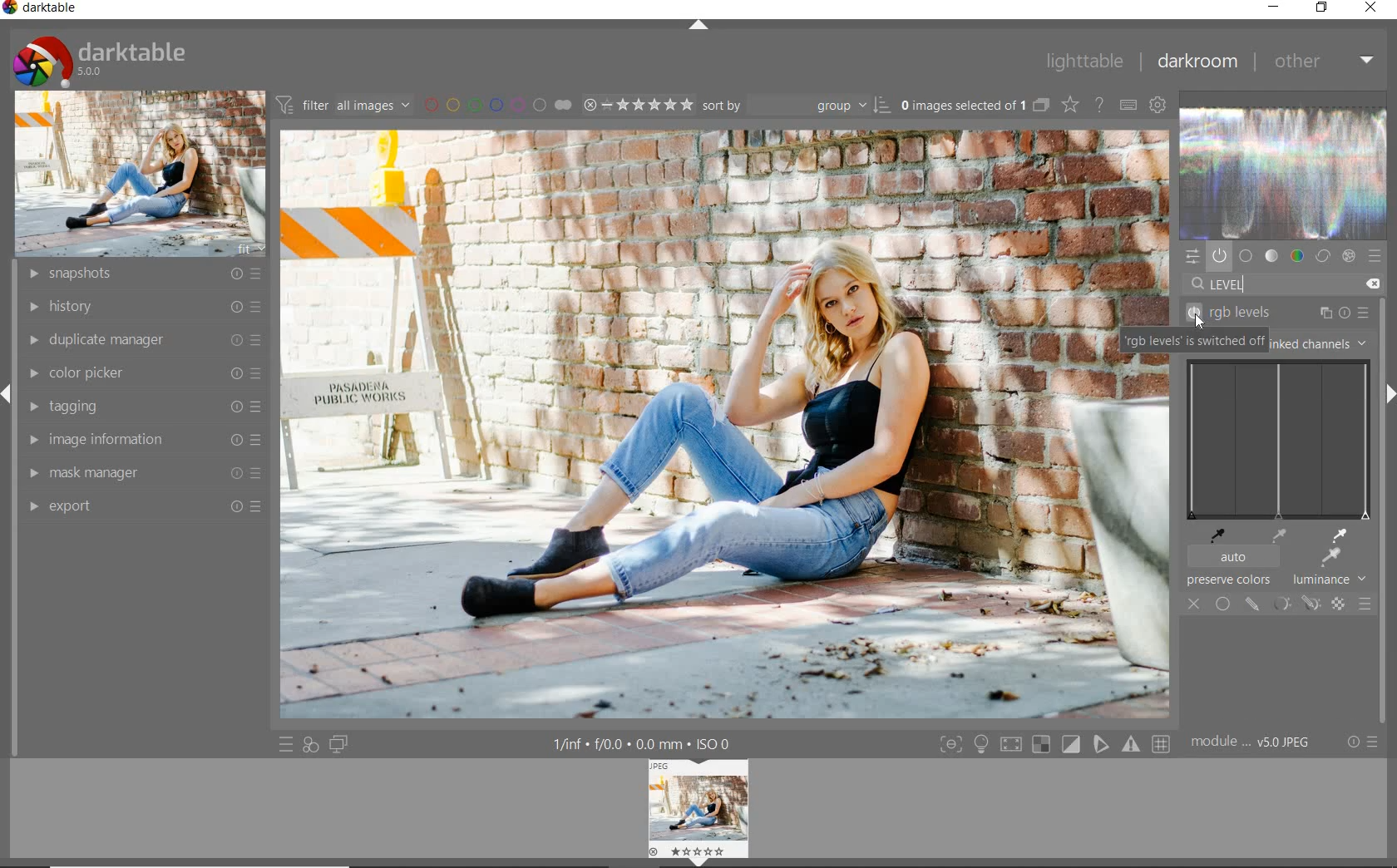  I want to click on preserve colors, so click(1228, 579).